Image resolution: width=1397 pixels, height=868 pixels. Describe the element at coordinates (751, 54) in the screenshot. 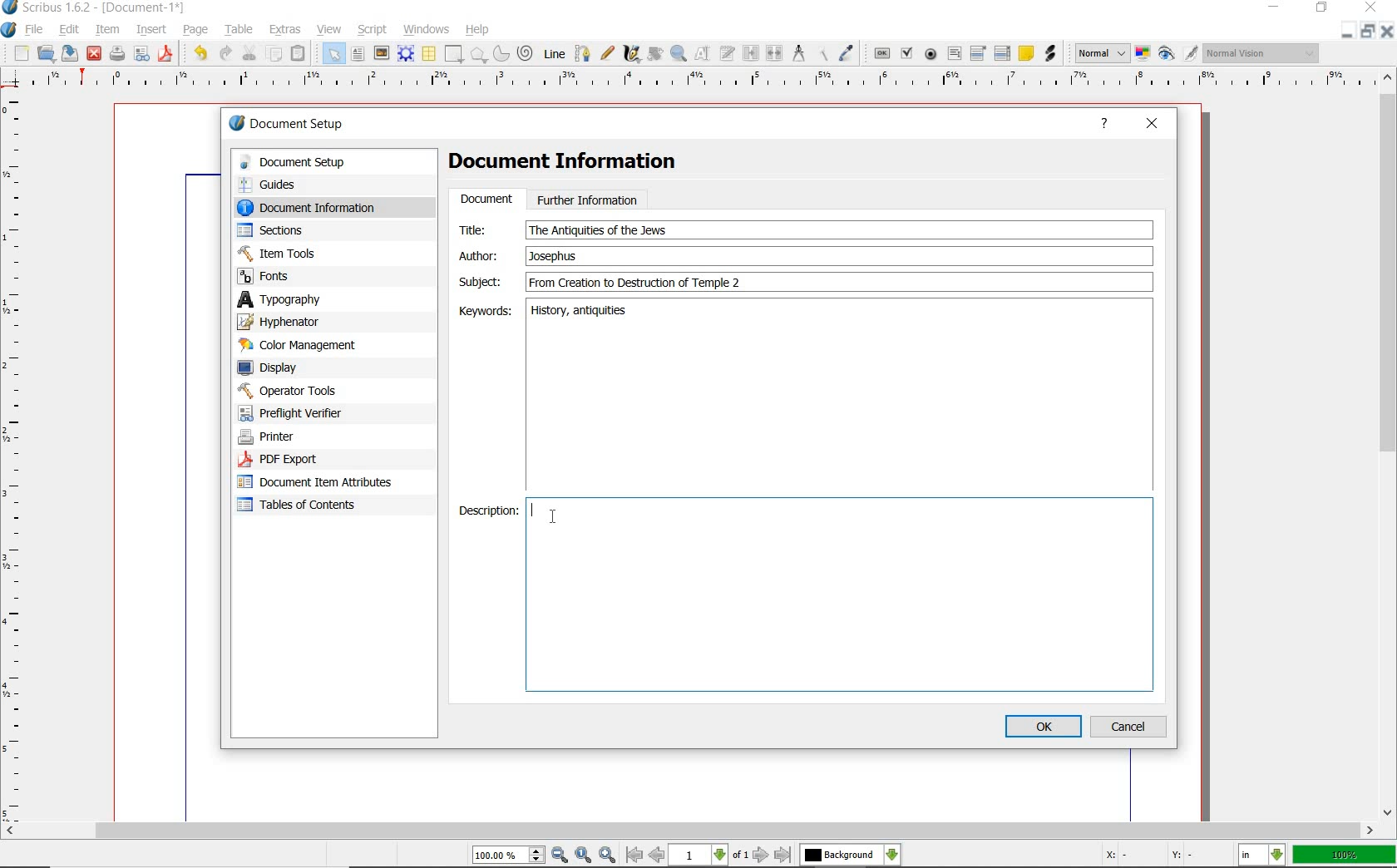

I see `link text frames` at that location.